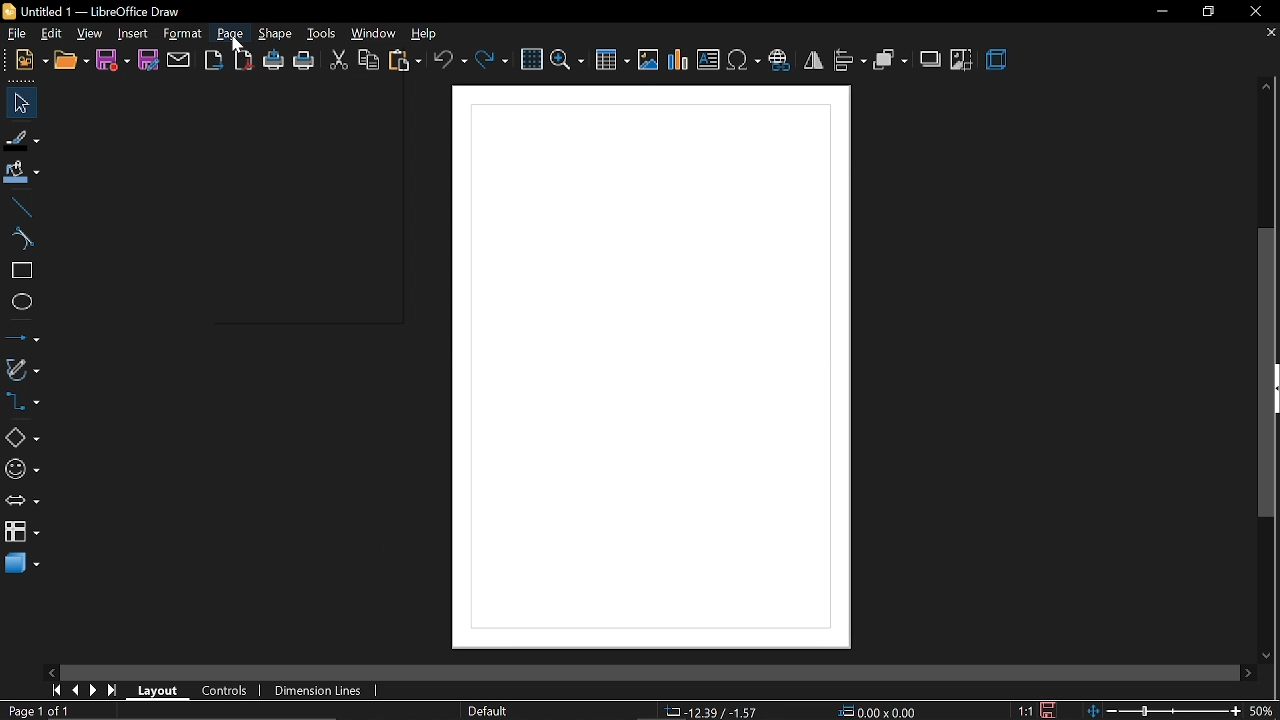 Image resolution: width=1280 pixels, height=720 pixels. I want to click on go to first page, so click(55, 690).